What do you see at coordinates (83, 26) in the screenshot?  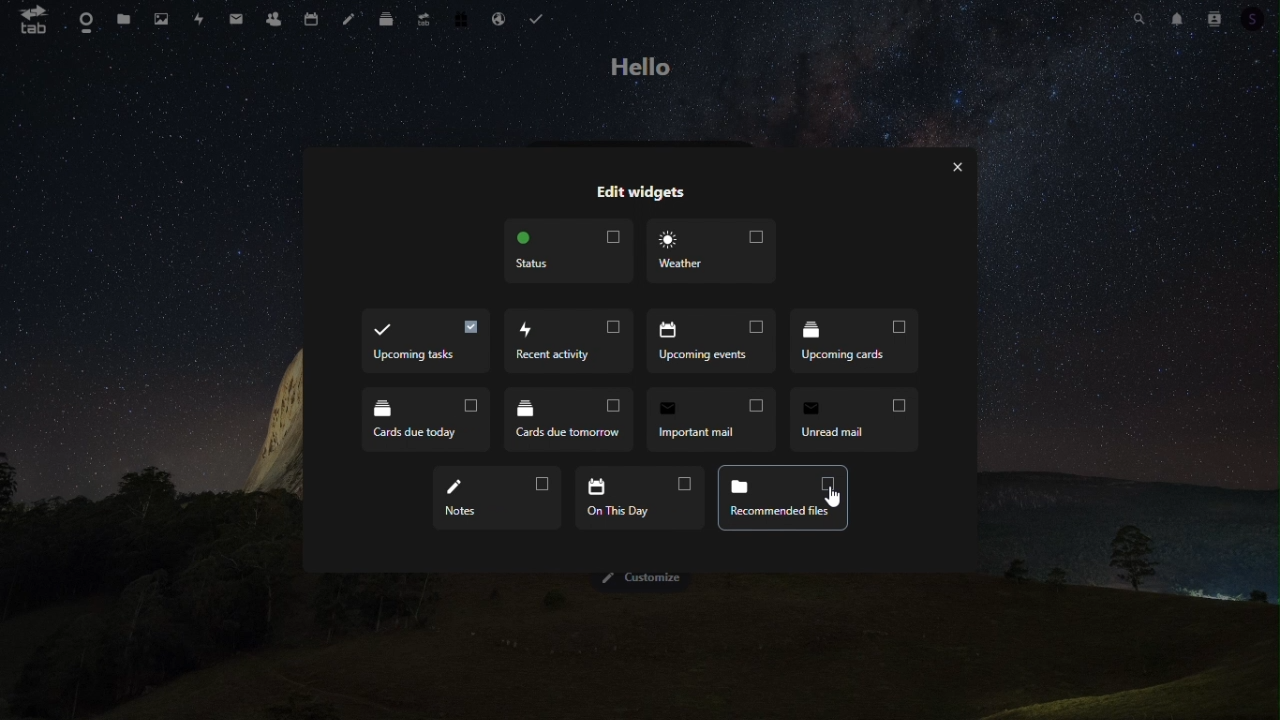 I see `dashboard` at bounding box center [83, 26].